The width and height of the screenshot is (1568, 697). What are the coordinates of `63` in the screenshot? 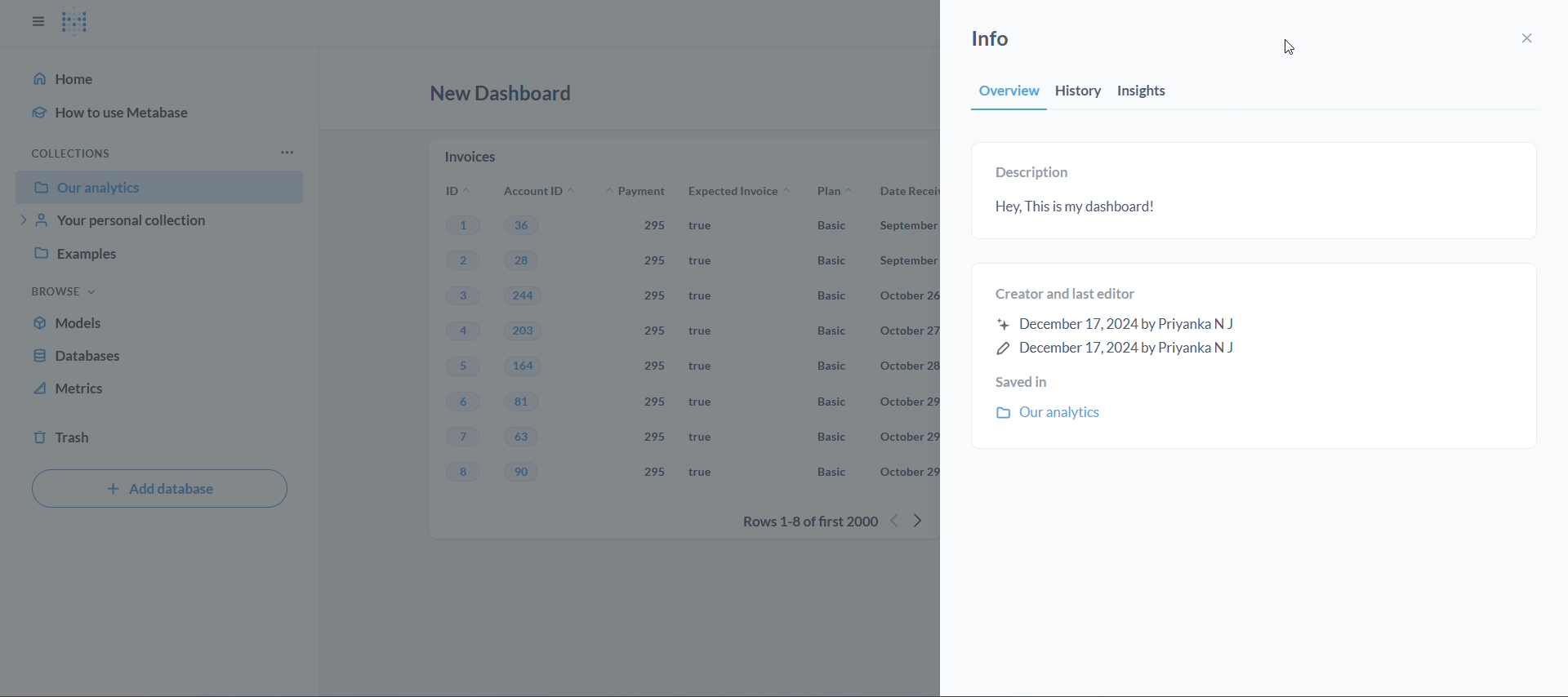 It's located at (526, 437).